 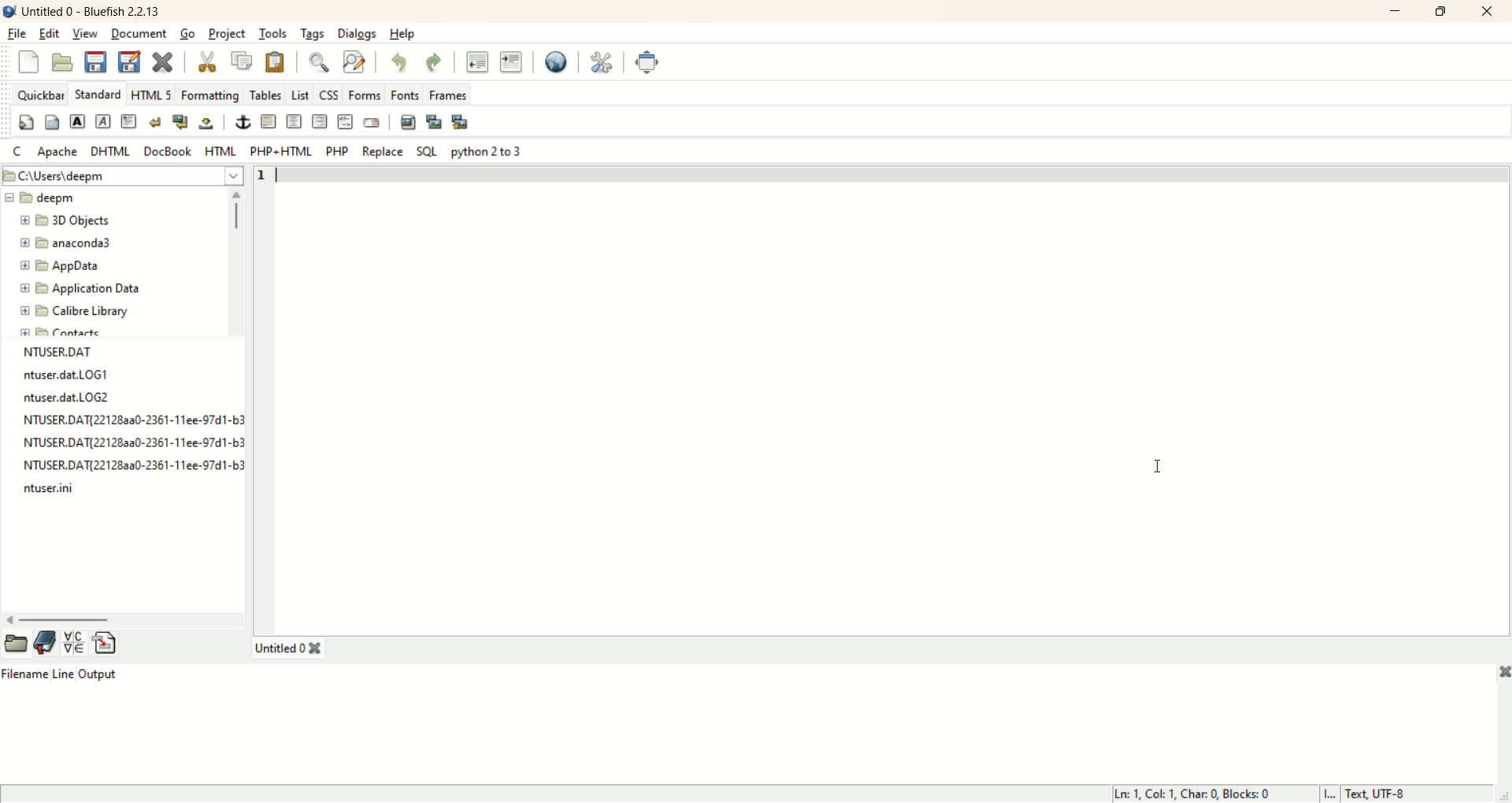 What do you see at coordinates (434, 63) in the screenshot?
I see `redo` at bounding box center [434, 63].